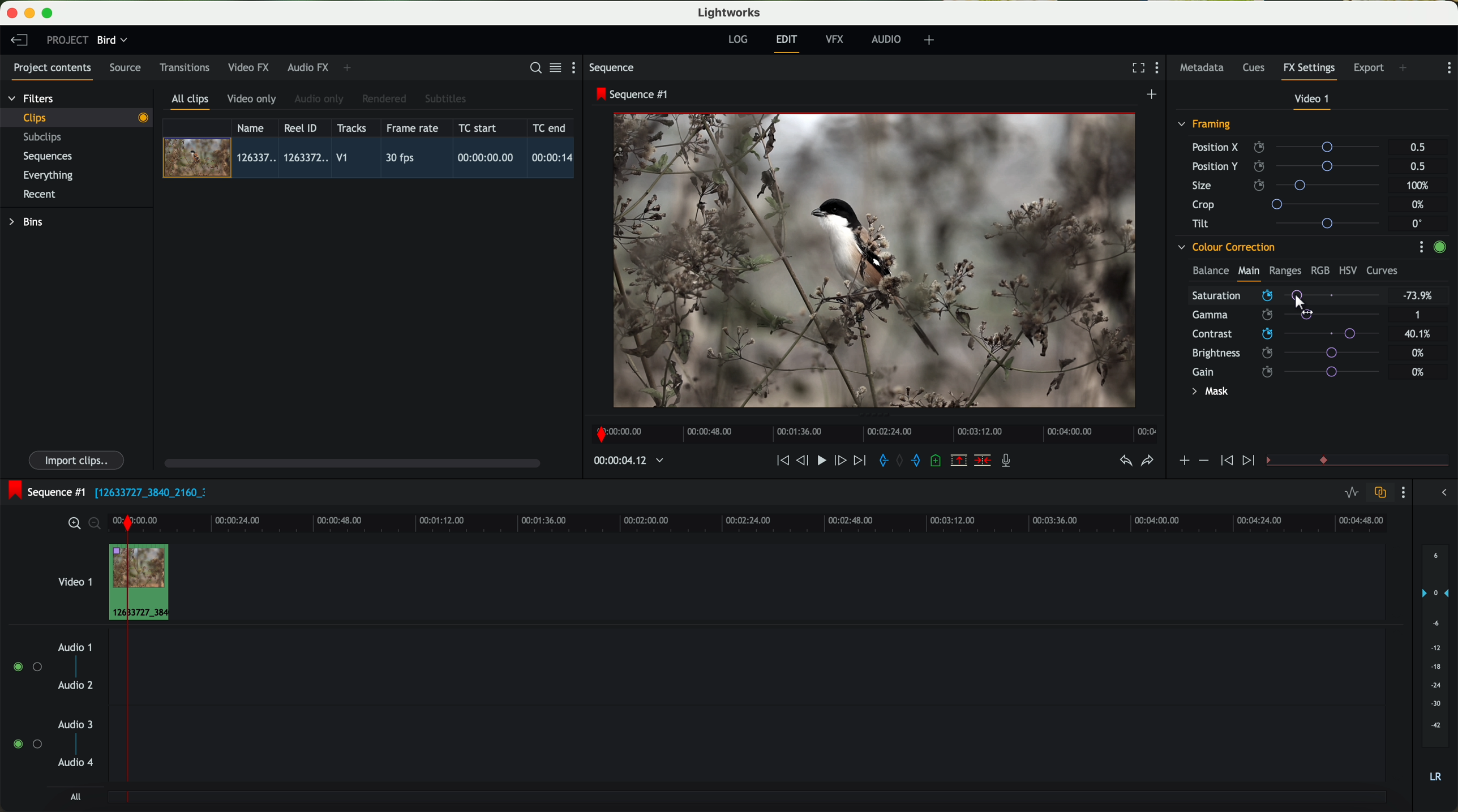  What do you see at coordinates (144, 583) in the screenshot?
I see `drag video to video track 1` at bounding box center [144, 583].